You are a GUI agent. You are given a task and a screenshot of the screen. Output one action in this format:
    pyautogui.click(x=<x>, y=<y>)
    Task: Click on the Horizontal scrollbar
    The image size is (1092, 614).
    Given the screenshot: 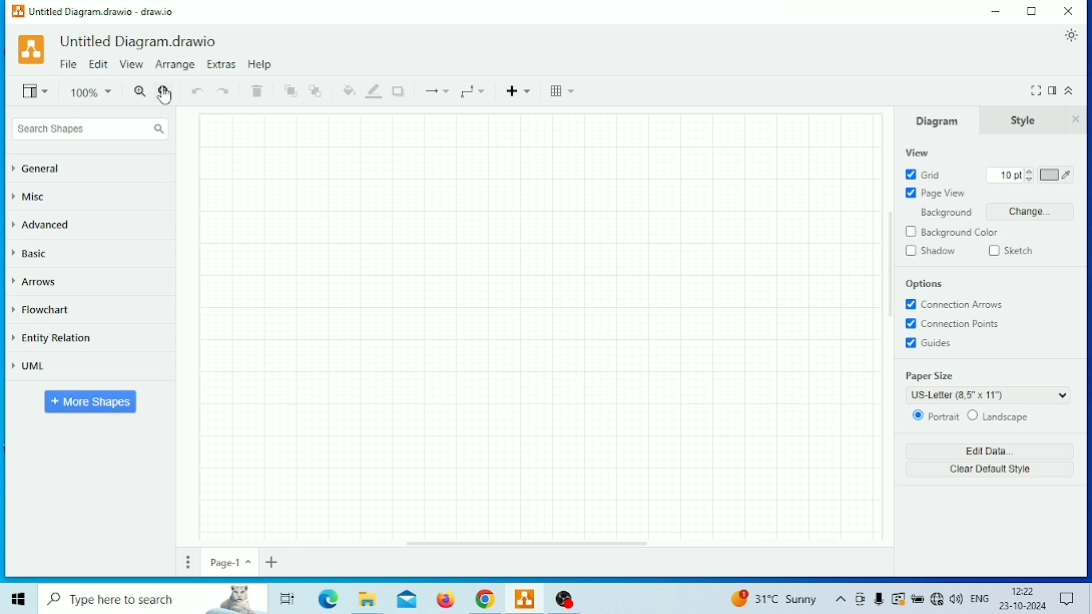 What is the action you would take?
    pyautogui.click(x=528, y=542)
    